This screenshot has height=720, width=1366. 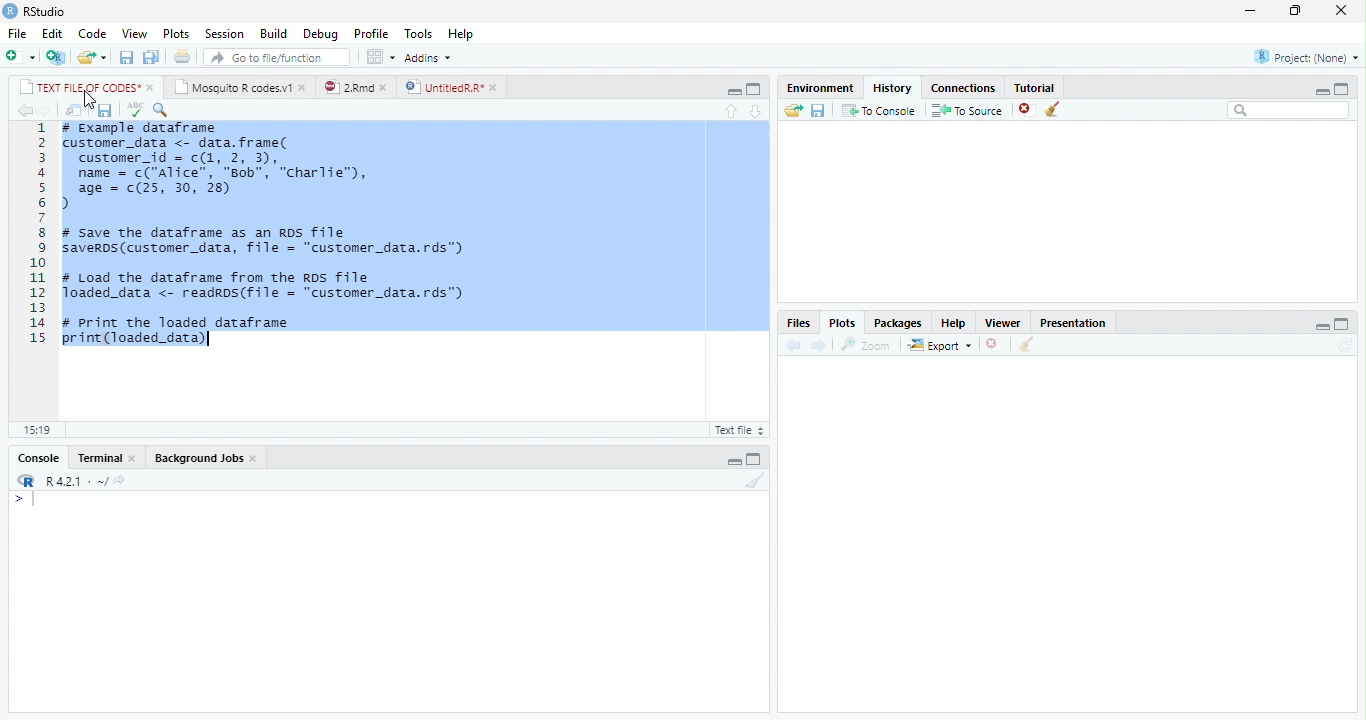 What do you see at coordinates (266, 286) in the screenshot?
I see `# Load the dataframe from the RDs file
loaded_data <- readros(file = "customer_data.rds")` at bounding box center [266, 286].